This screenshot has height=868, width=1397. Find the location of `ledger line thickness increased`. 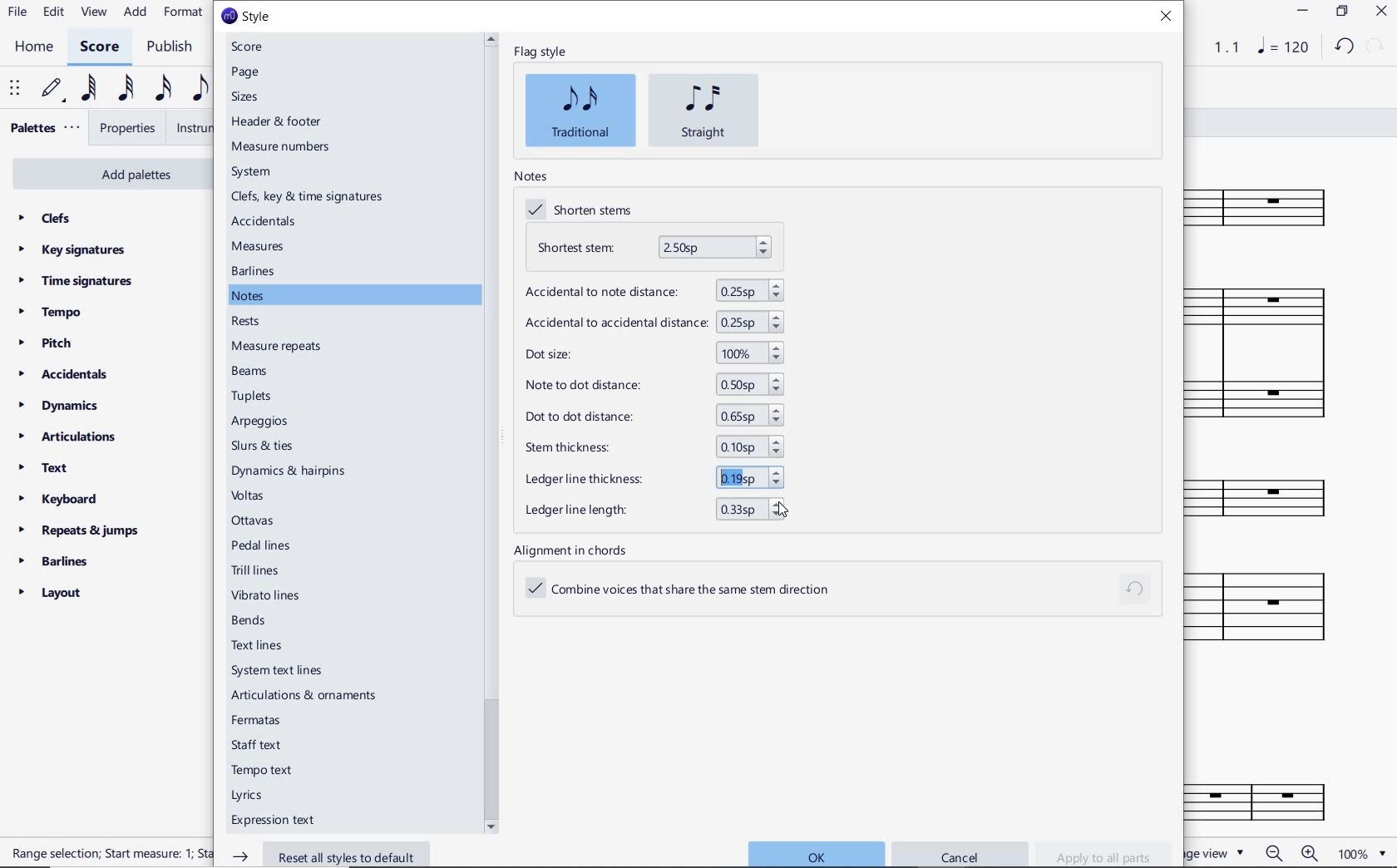

ledger line thickness increased is located at coordinates (648, 479).